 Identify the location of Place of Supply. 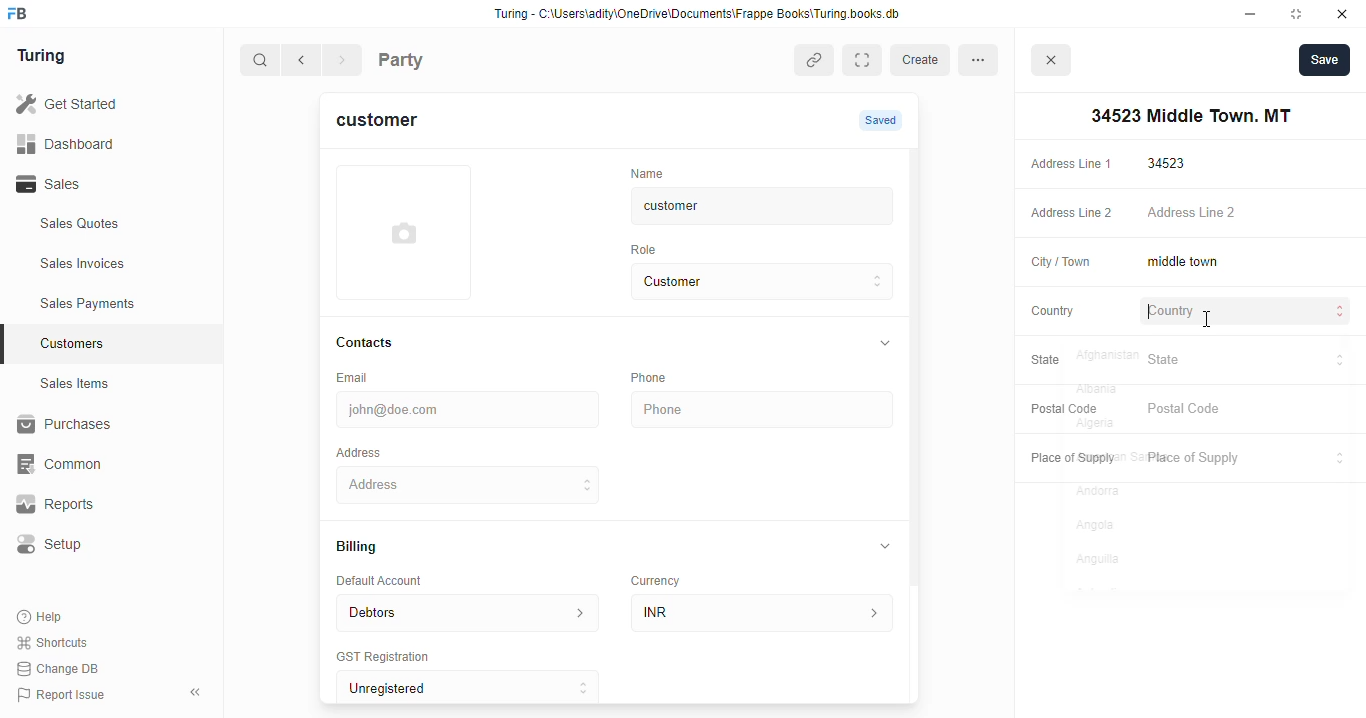
(1243, 459).